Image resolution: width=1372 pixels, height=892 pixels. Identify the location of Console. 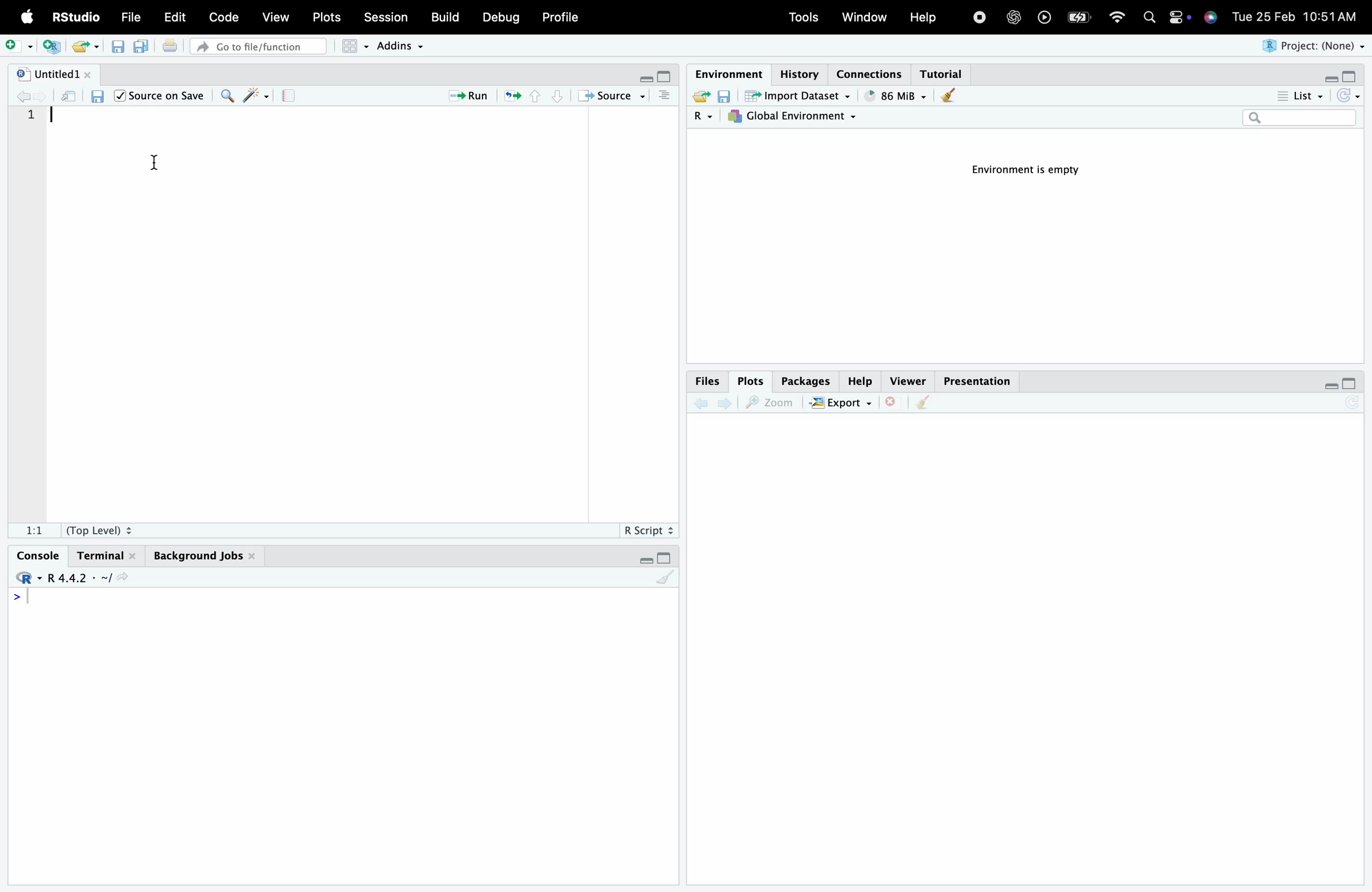
(38, 551).